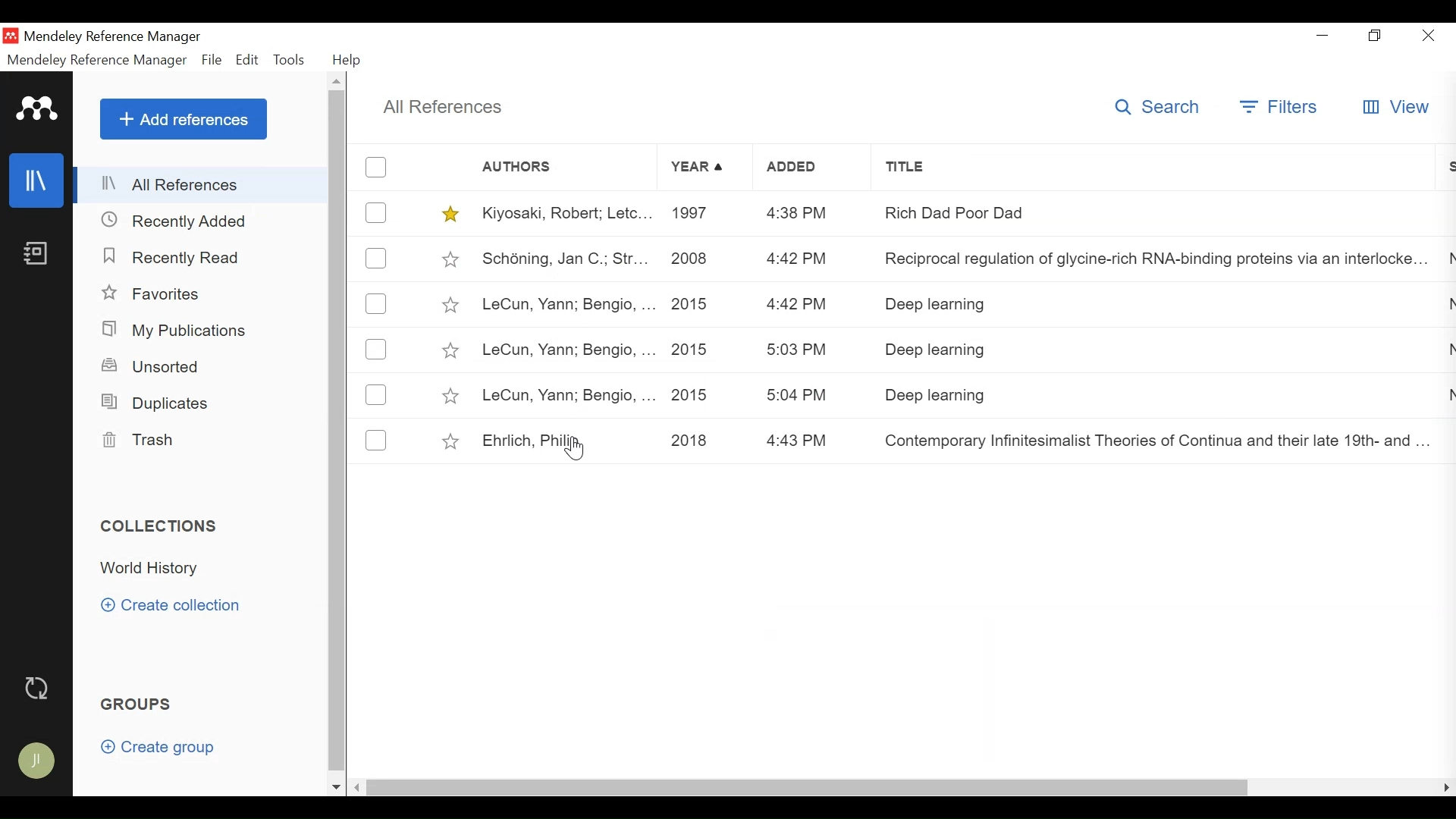 This screenshot has height=819, width=1456. Describe the element at coordinates (34, 257) in the screenshot. I see `Notebook` at that location.